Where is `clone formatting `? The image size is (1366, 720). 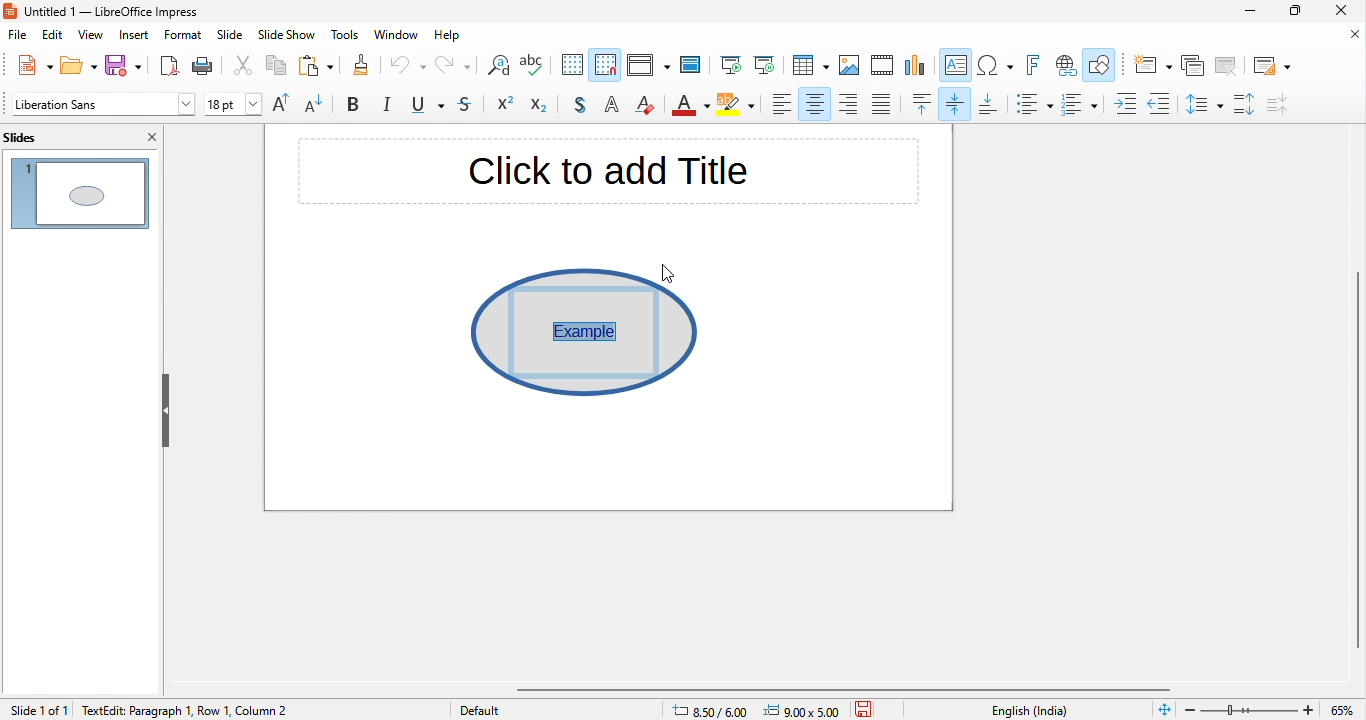
clone formatting  is located at coordinates (359, 67).